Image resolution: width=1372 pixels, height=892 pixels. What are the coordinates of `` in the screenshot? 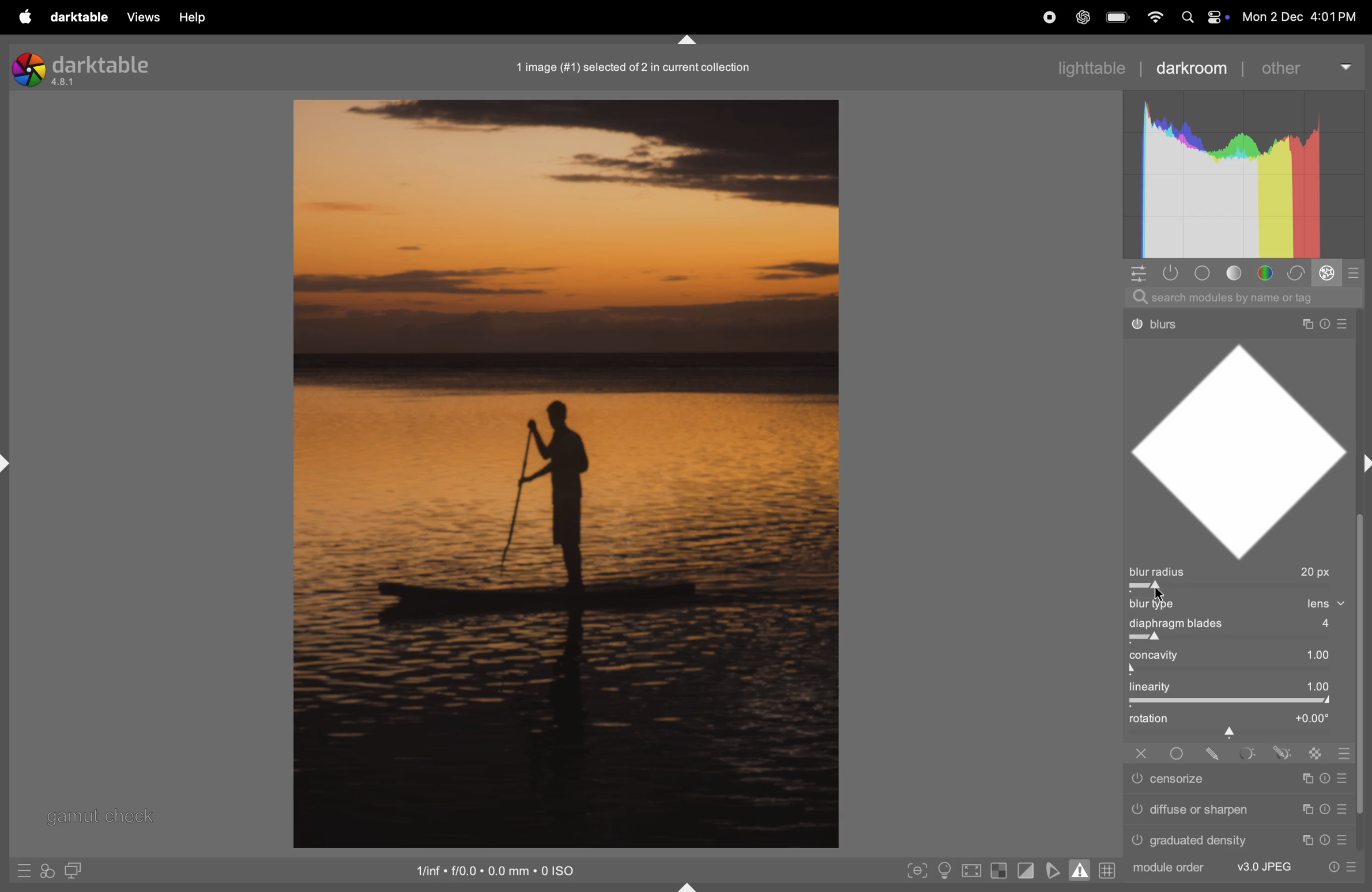 It's located at (1239, 781).